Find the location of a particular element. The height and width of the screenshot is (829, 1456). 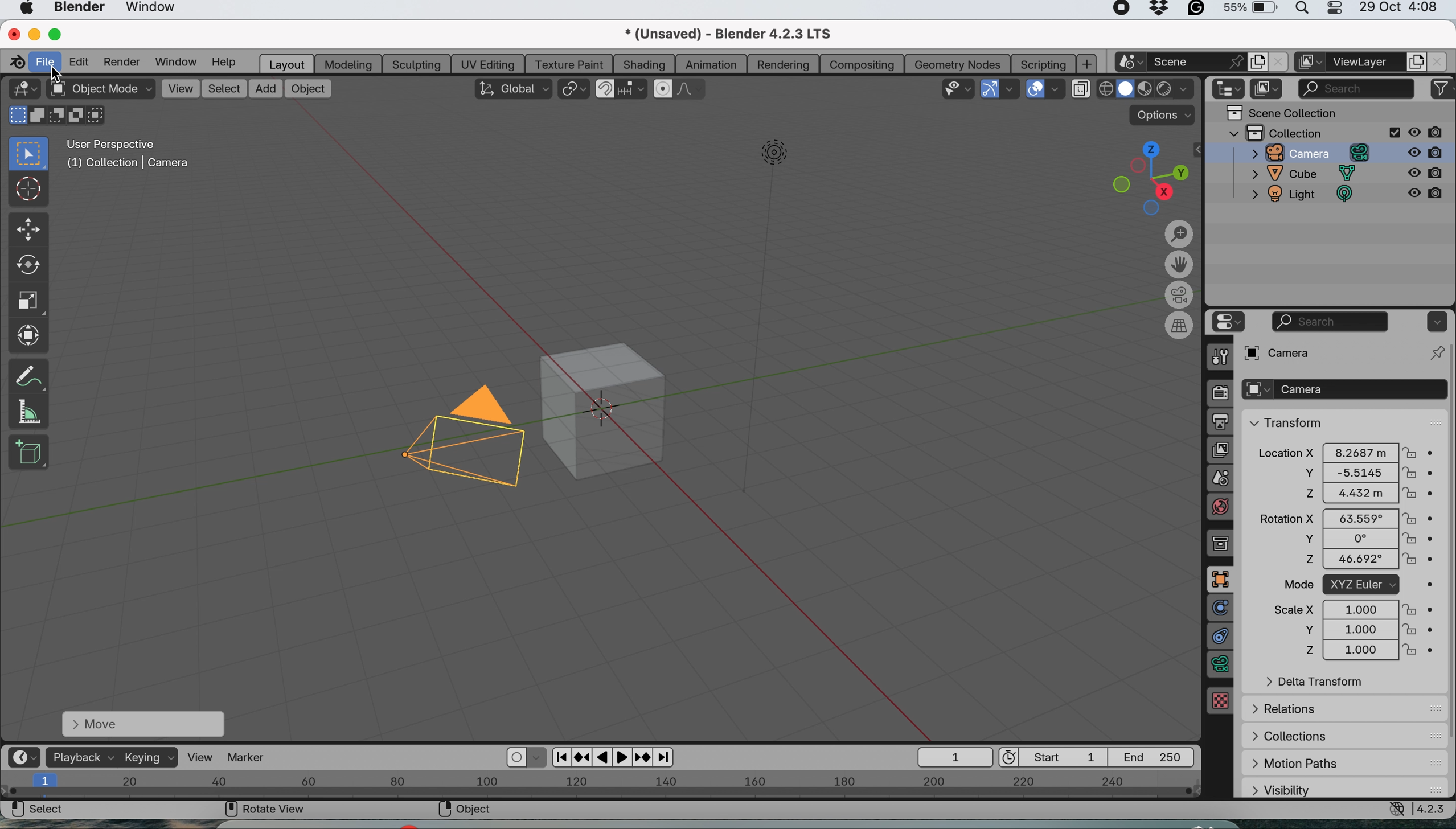

cursor is located at coordinates (56, 75).